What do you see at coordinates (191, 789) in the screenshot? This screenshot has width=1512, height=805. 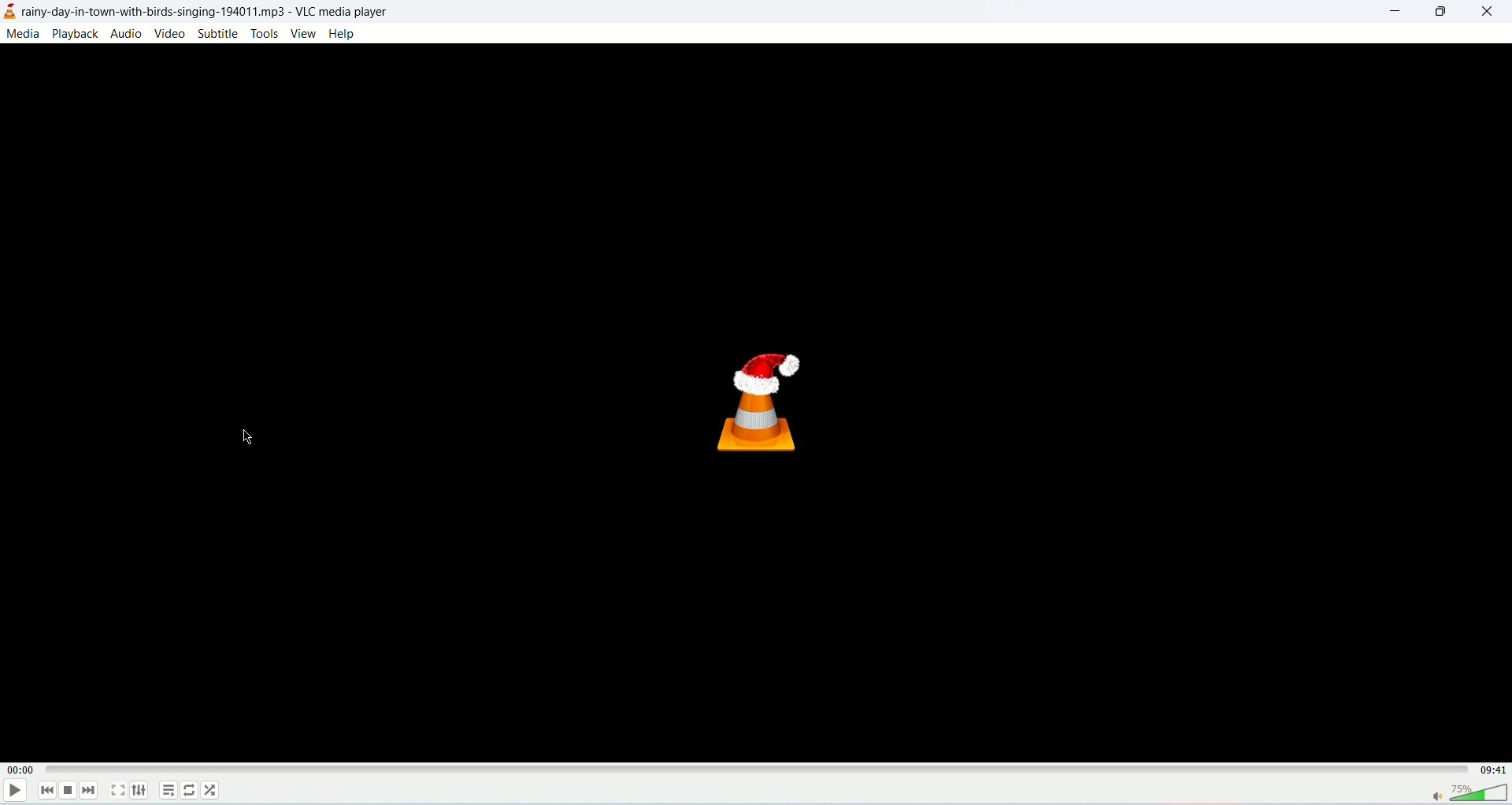 I see `loop` at bounding box center [191, 789].